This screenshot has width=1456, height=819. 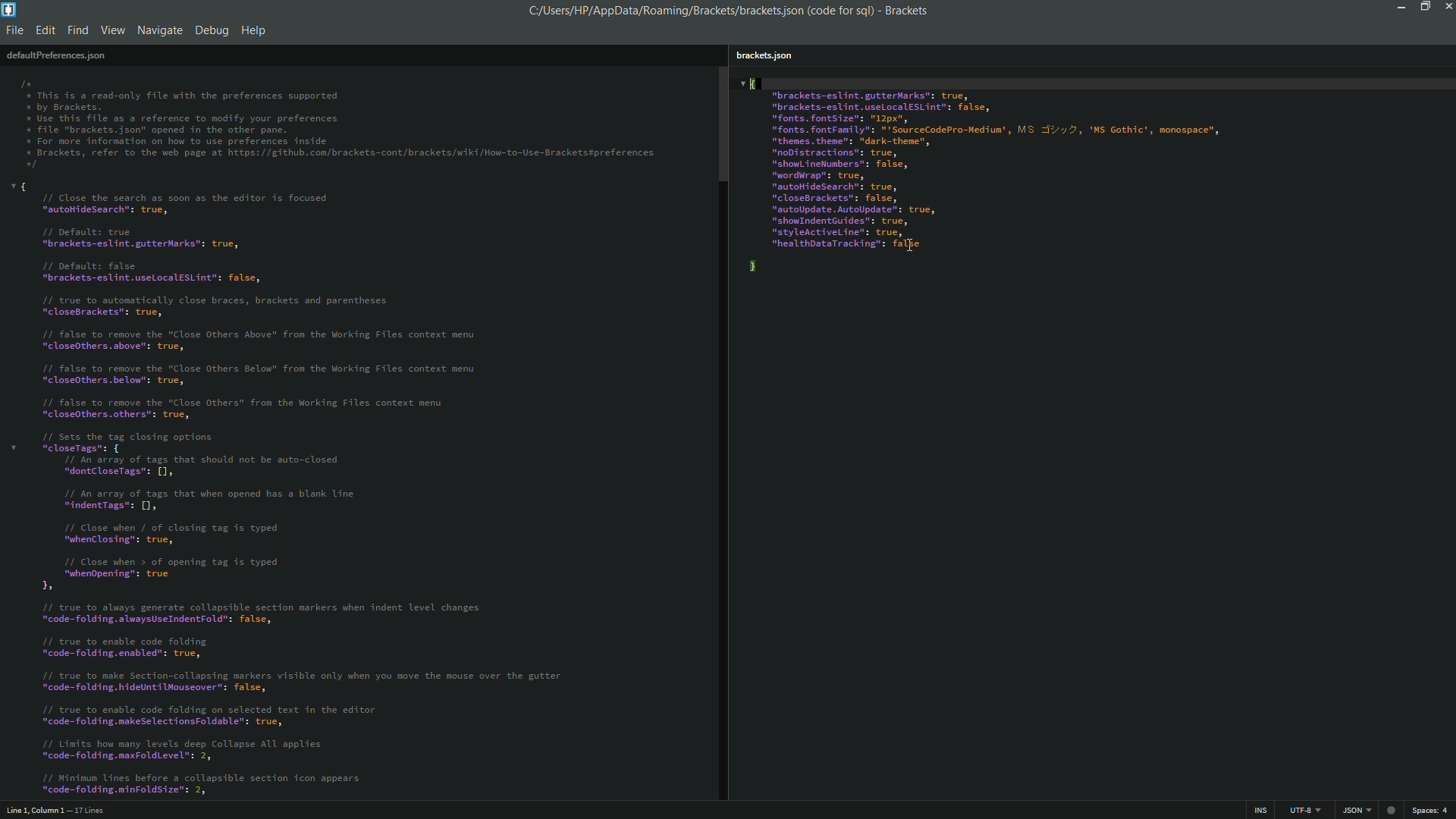 I want to click on Help menu, so click(x=256, y=30).